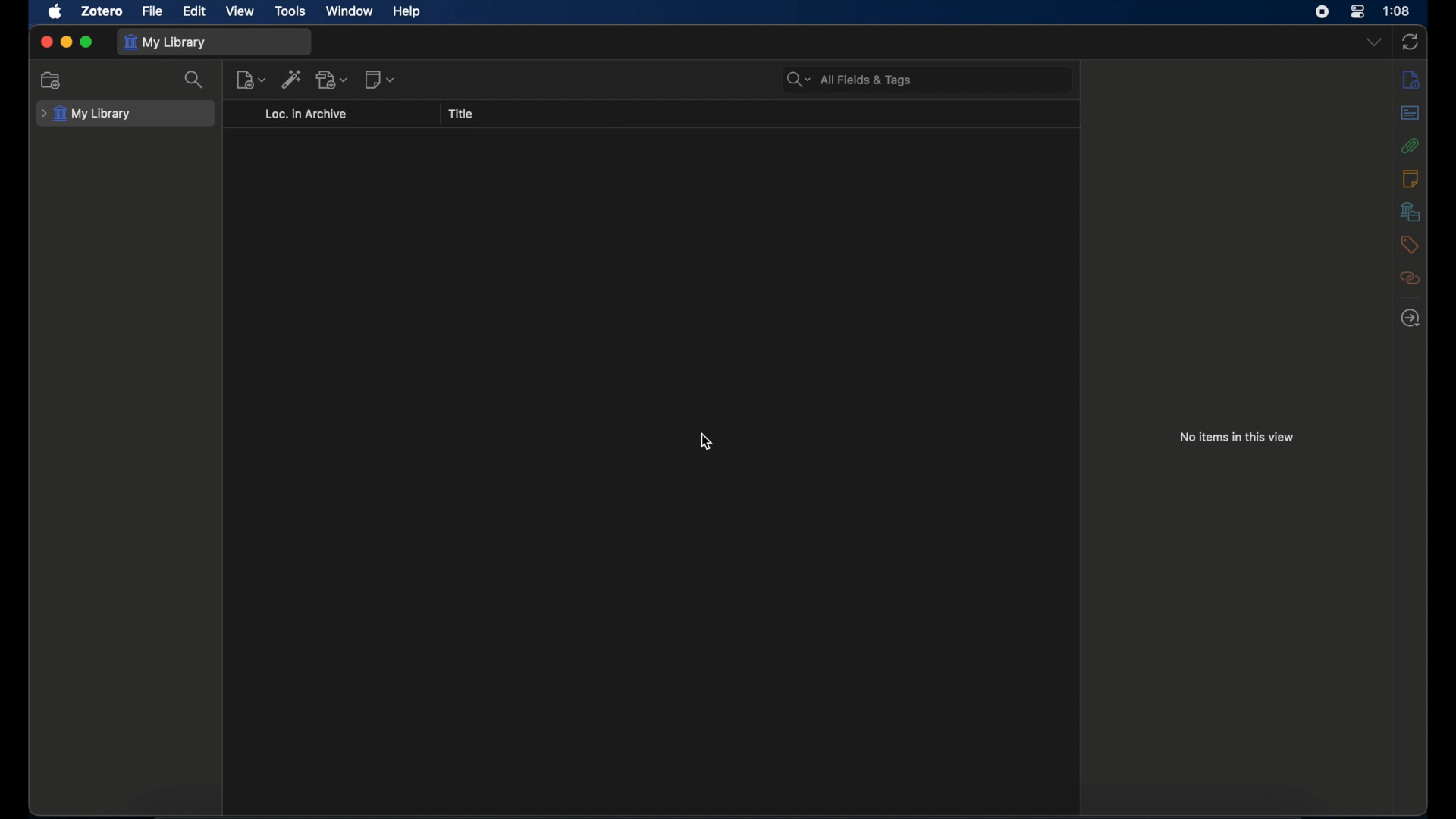 Image resolution: width=1456 pixels, height=819 pixels. I want to click on add item by identifier, so click(291, 79).